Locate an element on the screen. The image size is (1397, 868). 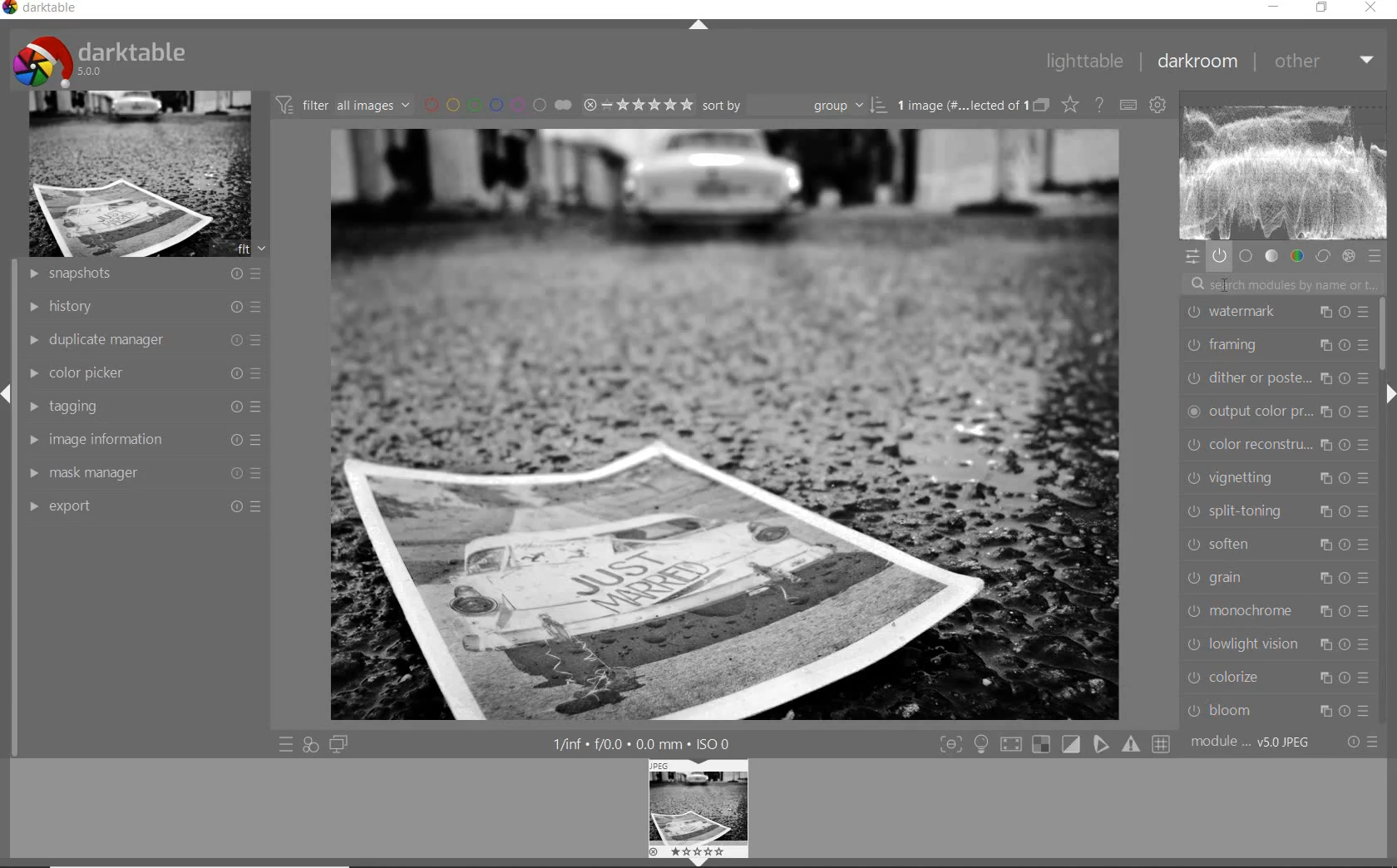
image information is located at coordinates (146, 439).